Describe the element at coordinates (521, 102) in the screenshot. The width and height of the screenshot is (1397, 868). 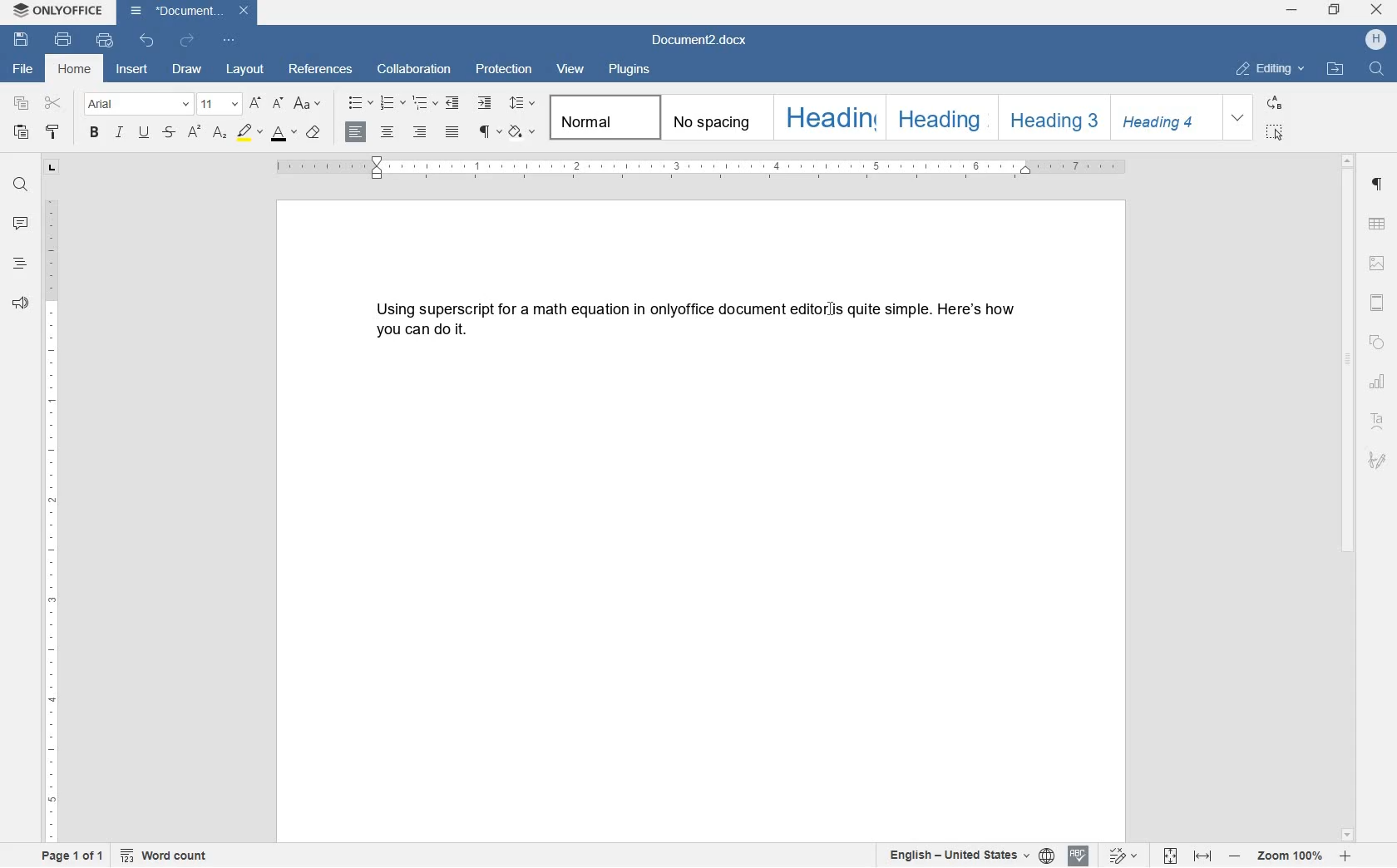
I see `paragraph line spacing` at that location.